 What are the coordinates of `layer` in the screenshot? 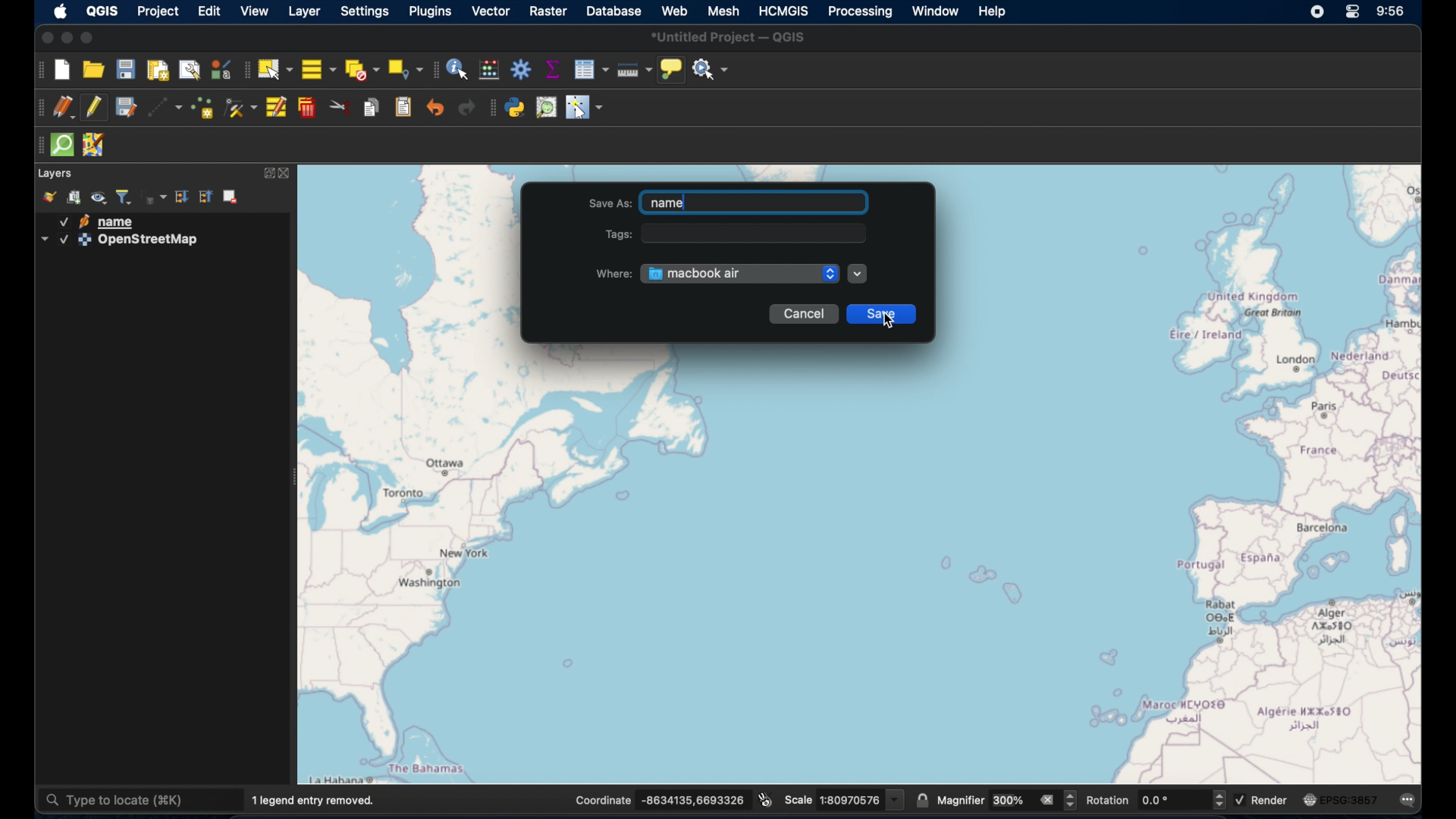 It's located at (304, 12).